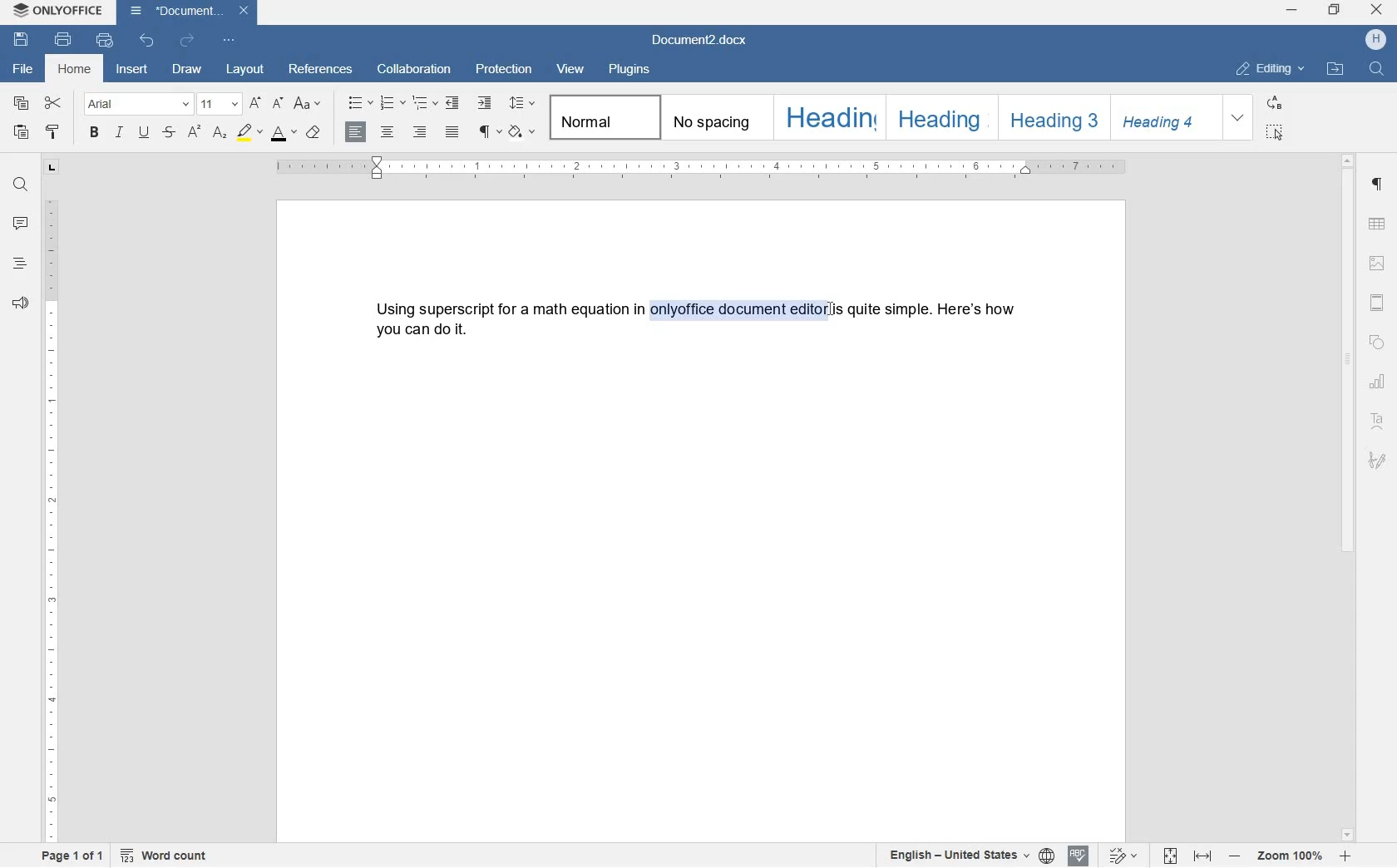  I want to click on copy, so click(22, 104).